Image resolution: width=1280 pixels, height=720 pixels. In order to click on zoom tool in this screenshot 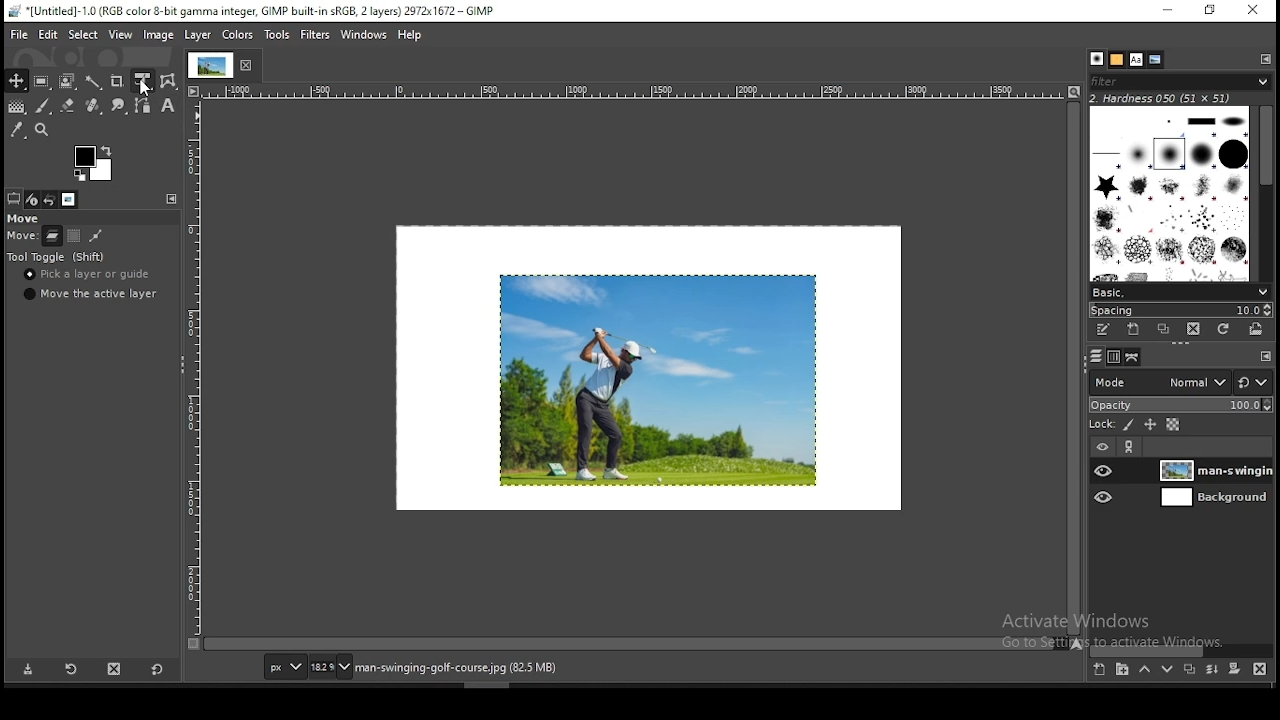, I will do `click(42, 131)`.